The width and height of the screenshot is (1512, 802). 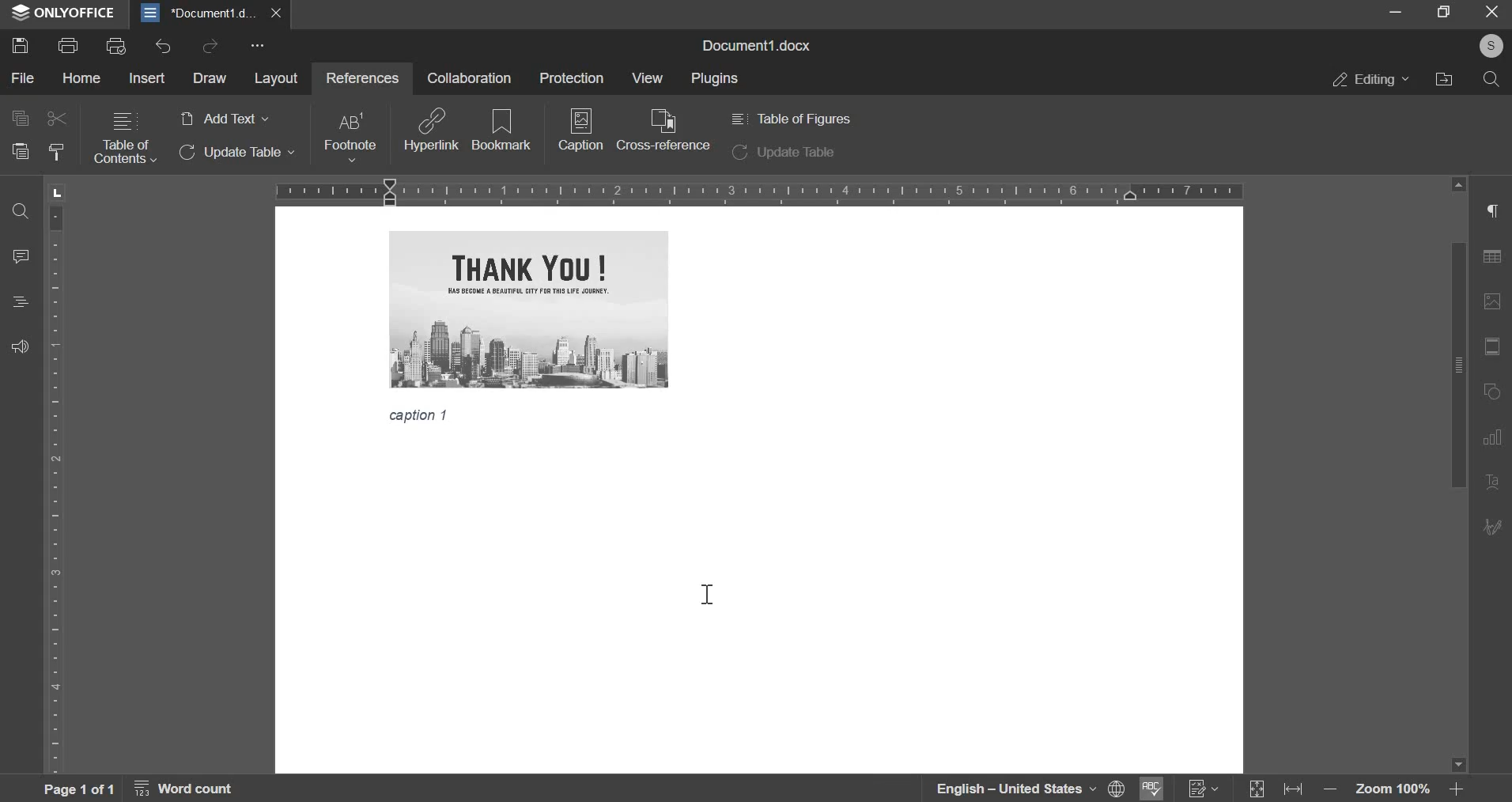 I want to click on fullscreen, so click(x=1443, y=12).